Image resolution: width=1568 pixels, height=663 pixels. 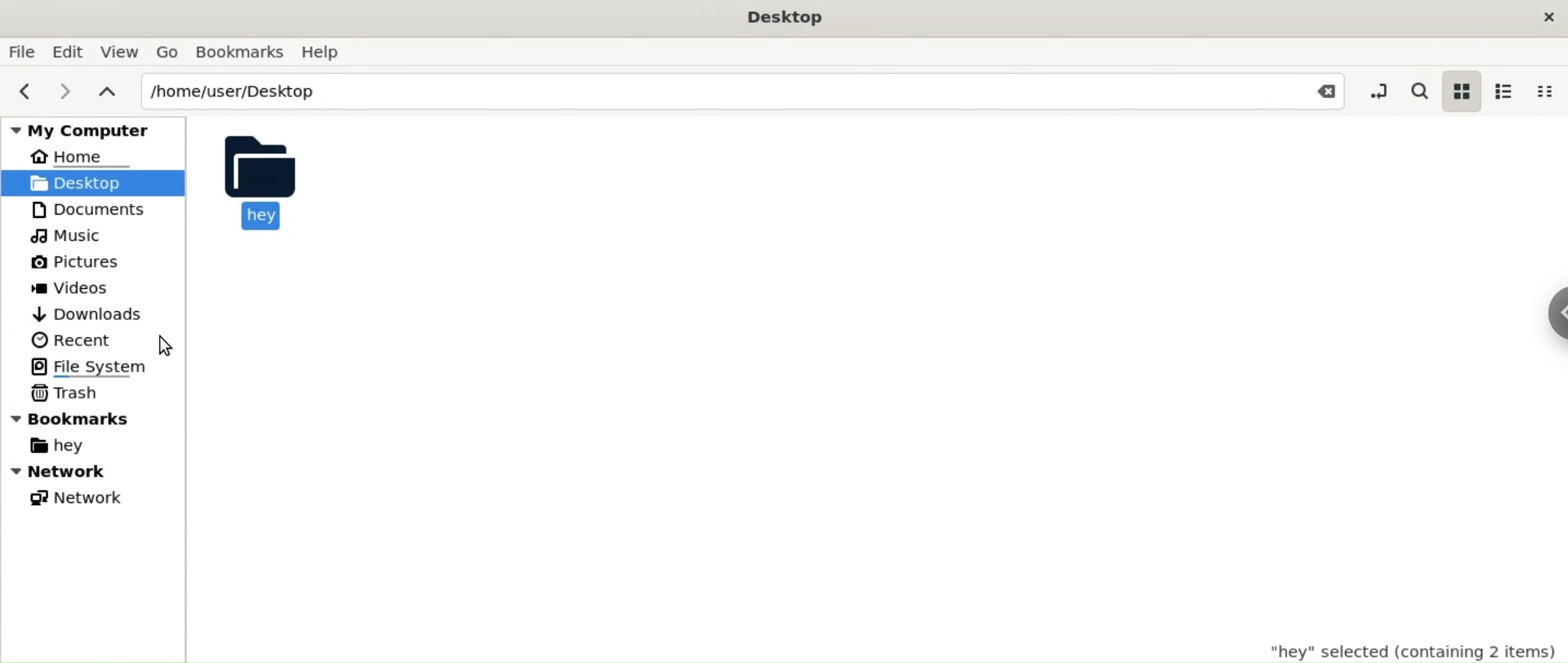 What do you see at coordinates (1549, 90) in the screenshot?
I see `compact view` at bounding box center [1549, 90].